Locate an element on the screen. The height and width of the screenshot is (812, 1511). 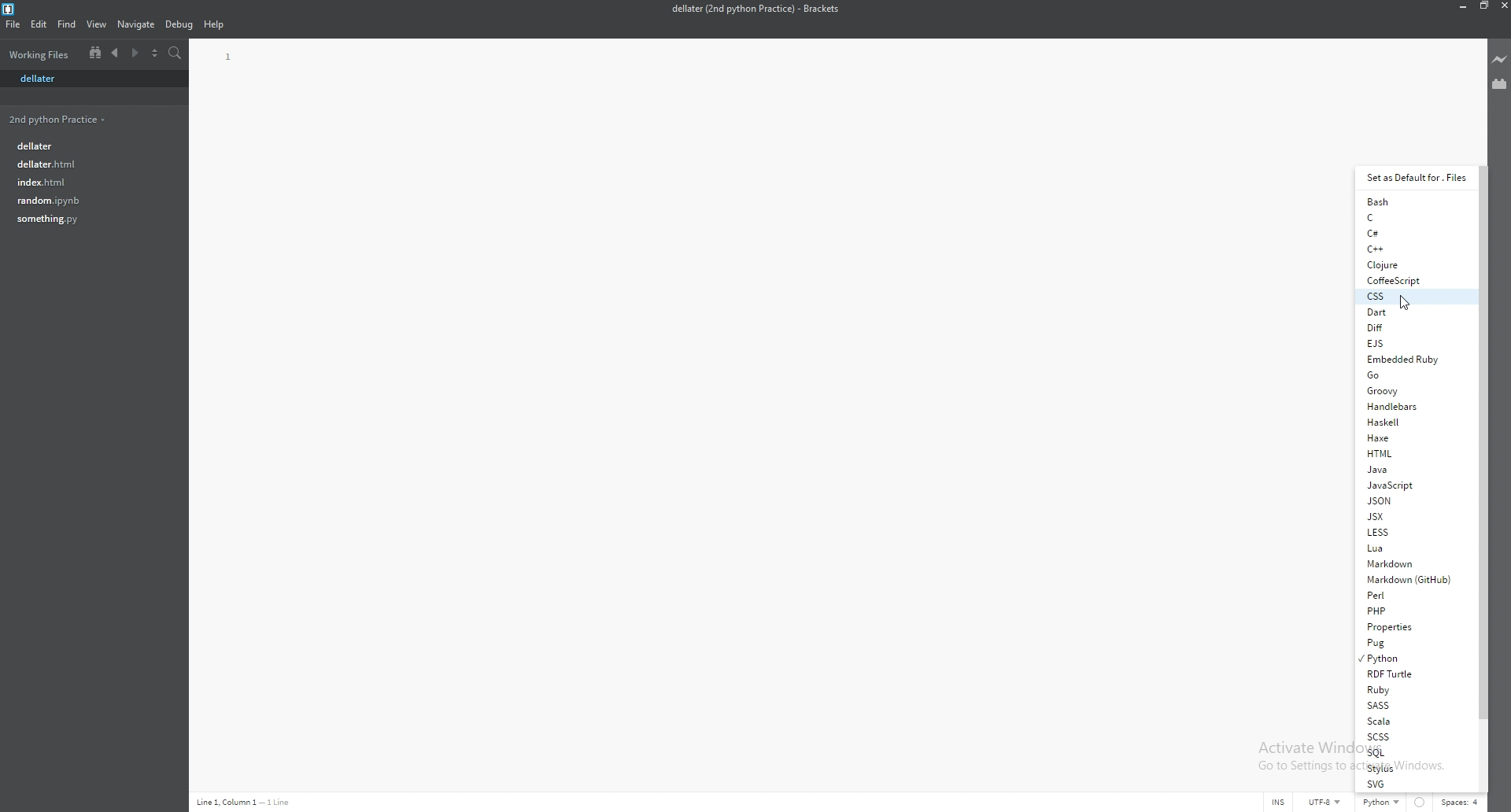
less is located at coordinates (1413, 533).